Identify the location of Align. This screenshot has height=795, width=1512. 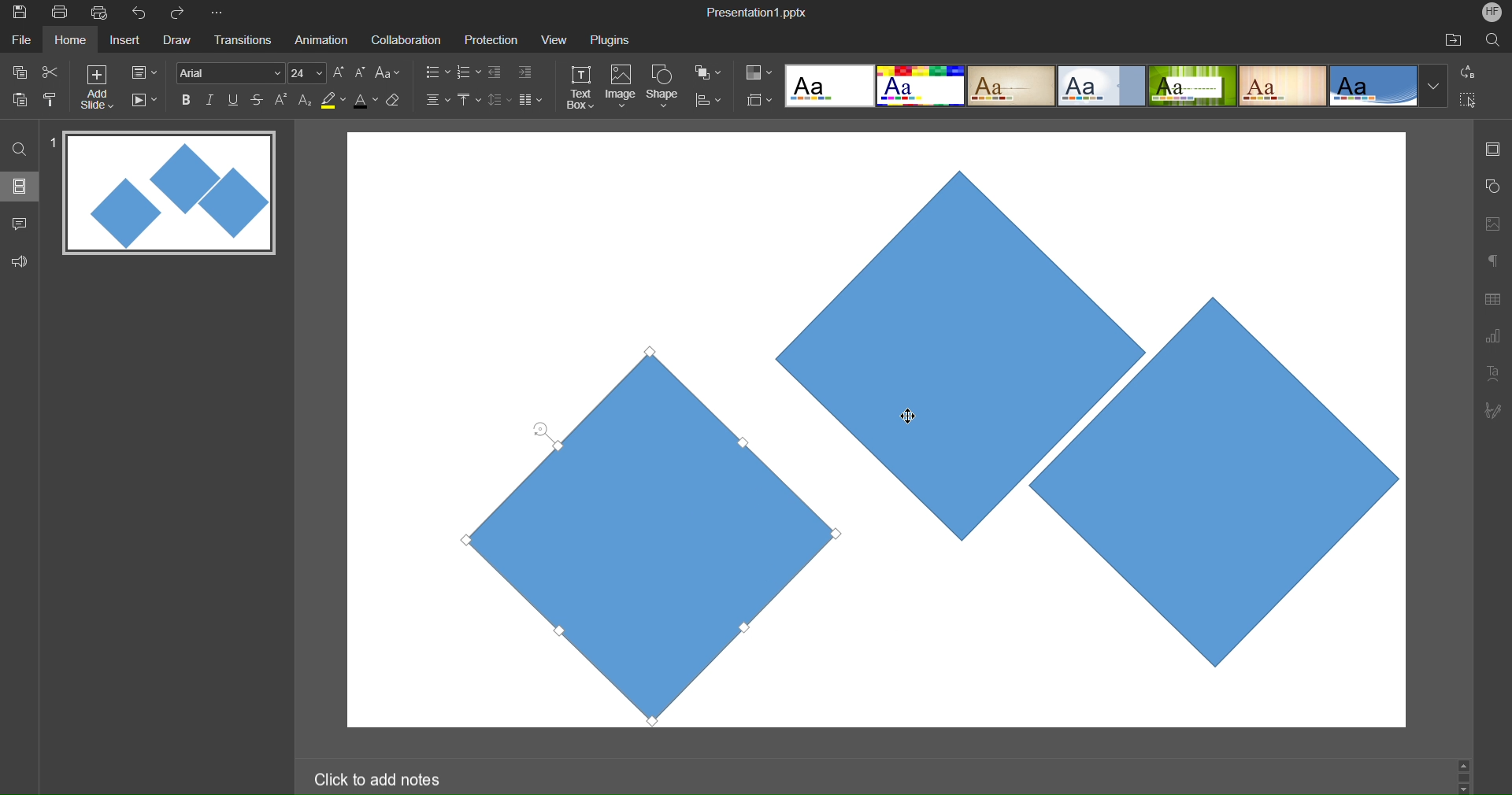
(708, 101).